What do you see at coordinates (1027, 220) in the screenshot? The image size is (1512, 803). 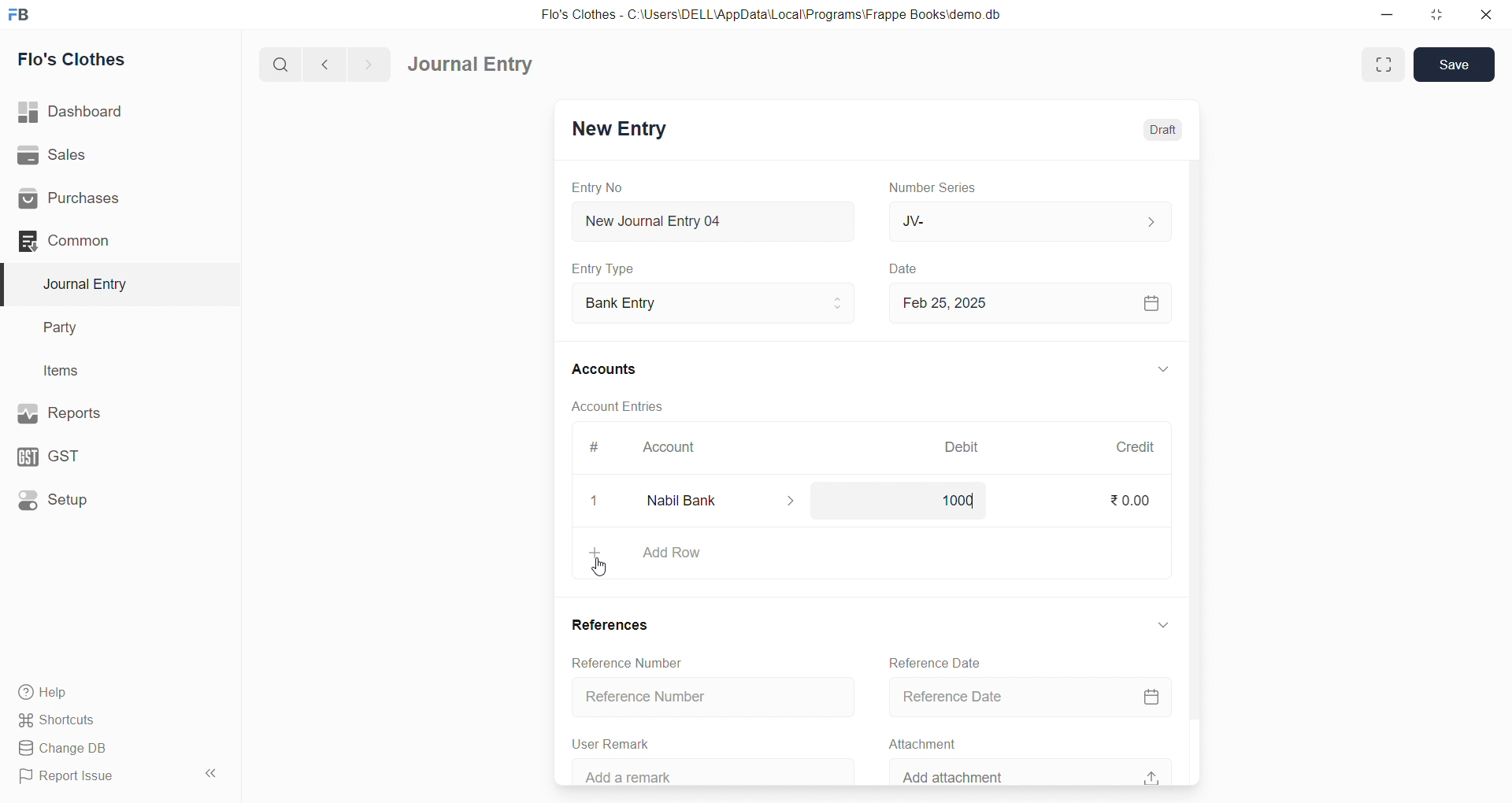 I see `JV-` at bounding box center [1027, 220].